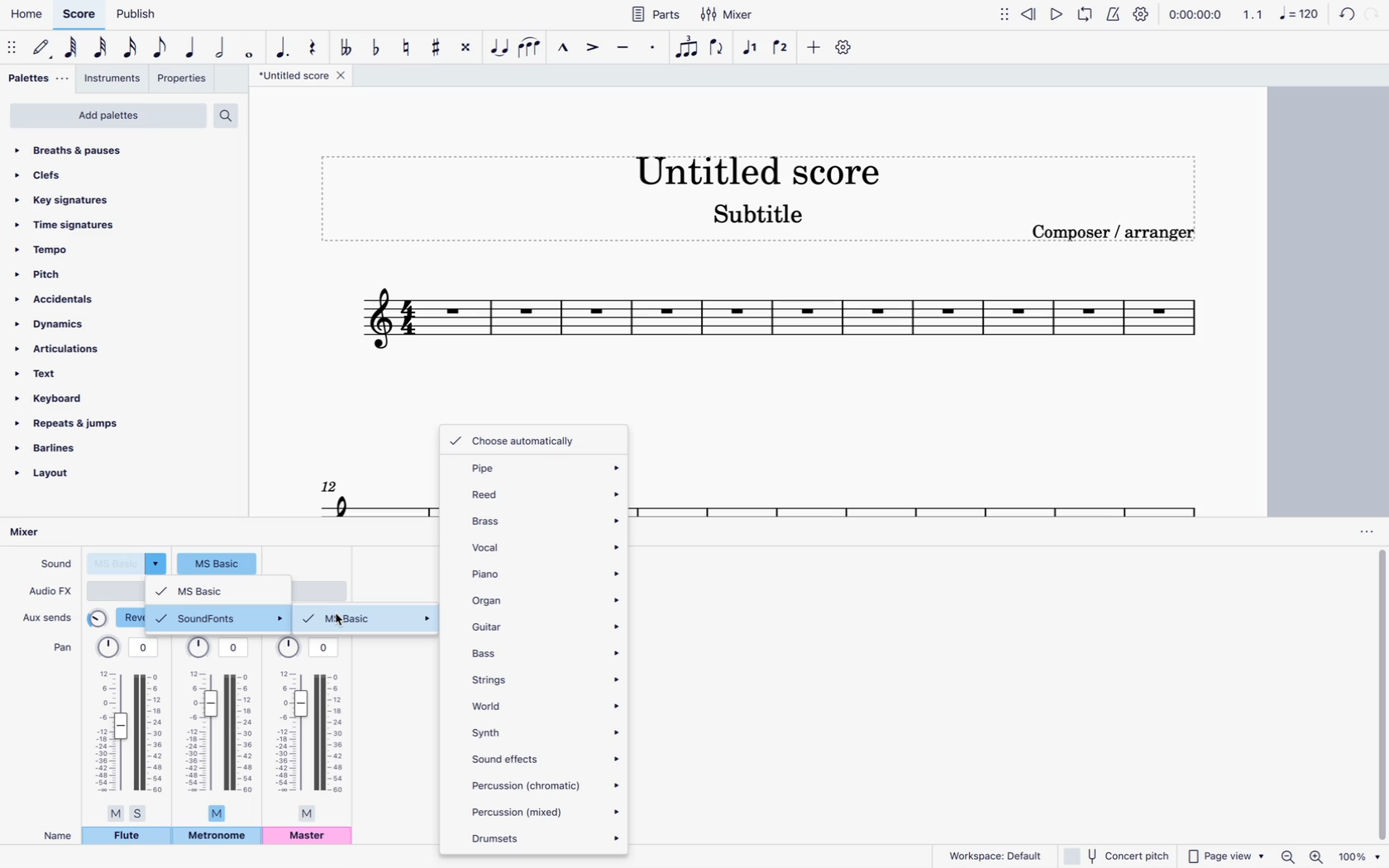 The height and width of the screenshot is (868, 1389). Describe the element at coordinates (116, 590) in the screenshot. I see `audio type` at that location.